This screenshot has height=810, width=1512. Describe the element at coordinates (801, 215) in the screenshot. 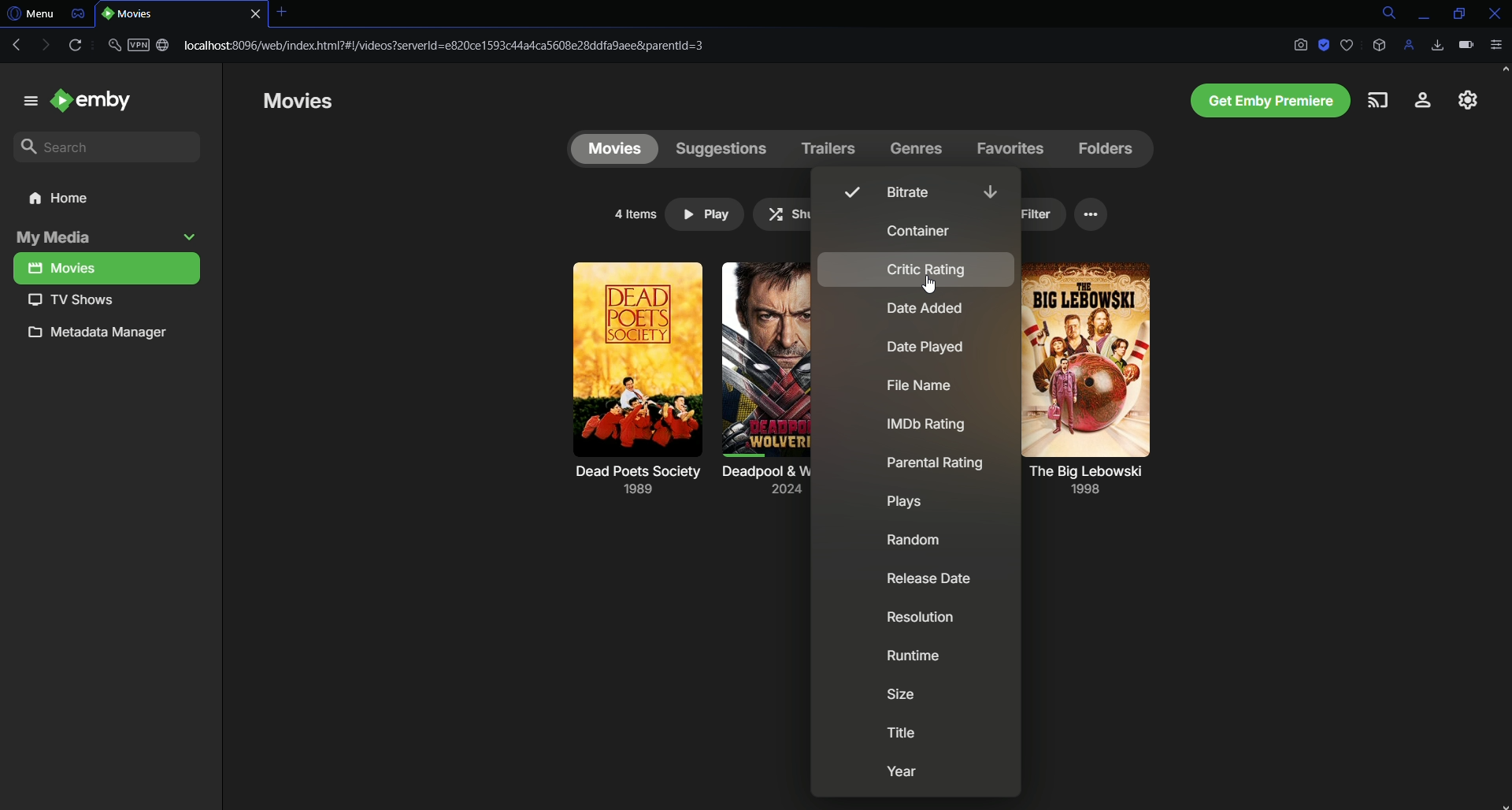

I see `Shuffle` at that location.